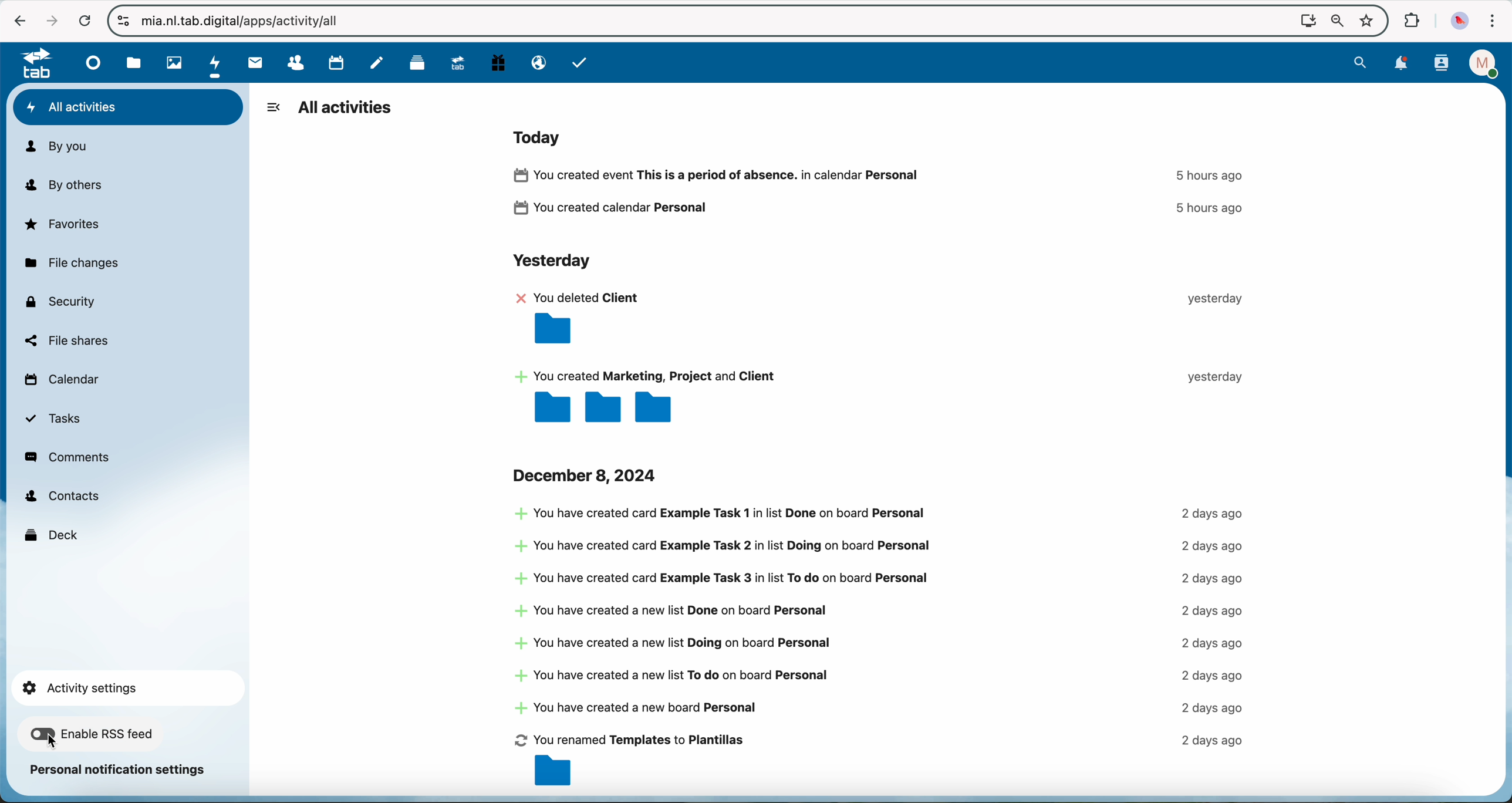  What do you see at coordinates (1401, 65) in the screenshot?
I see `notifications` at bounding box center [1401, 65].